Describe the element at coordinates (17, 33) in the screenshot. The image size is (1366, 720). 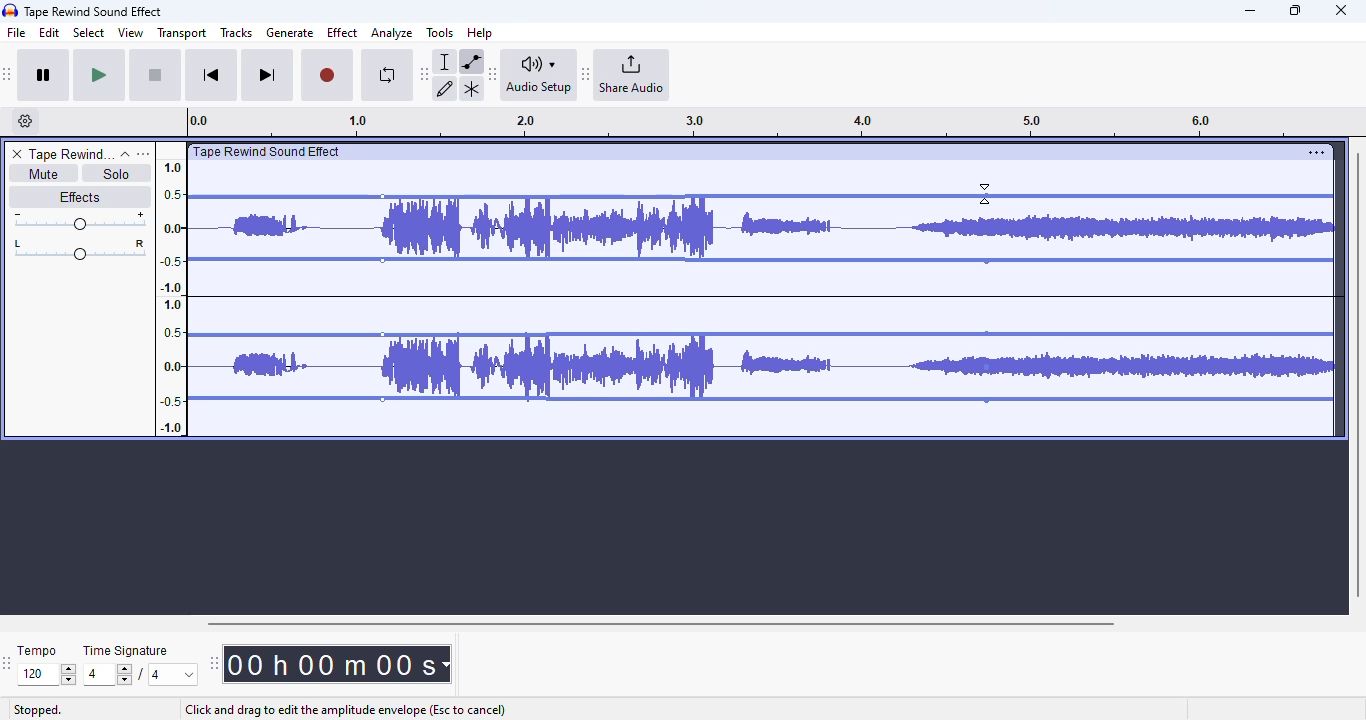
I see `file` at that location.